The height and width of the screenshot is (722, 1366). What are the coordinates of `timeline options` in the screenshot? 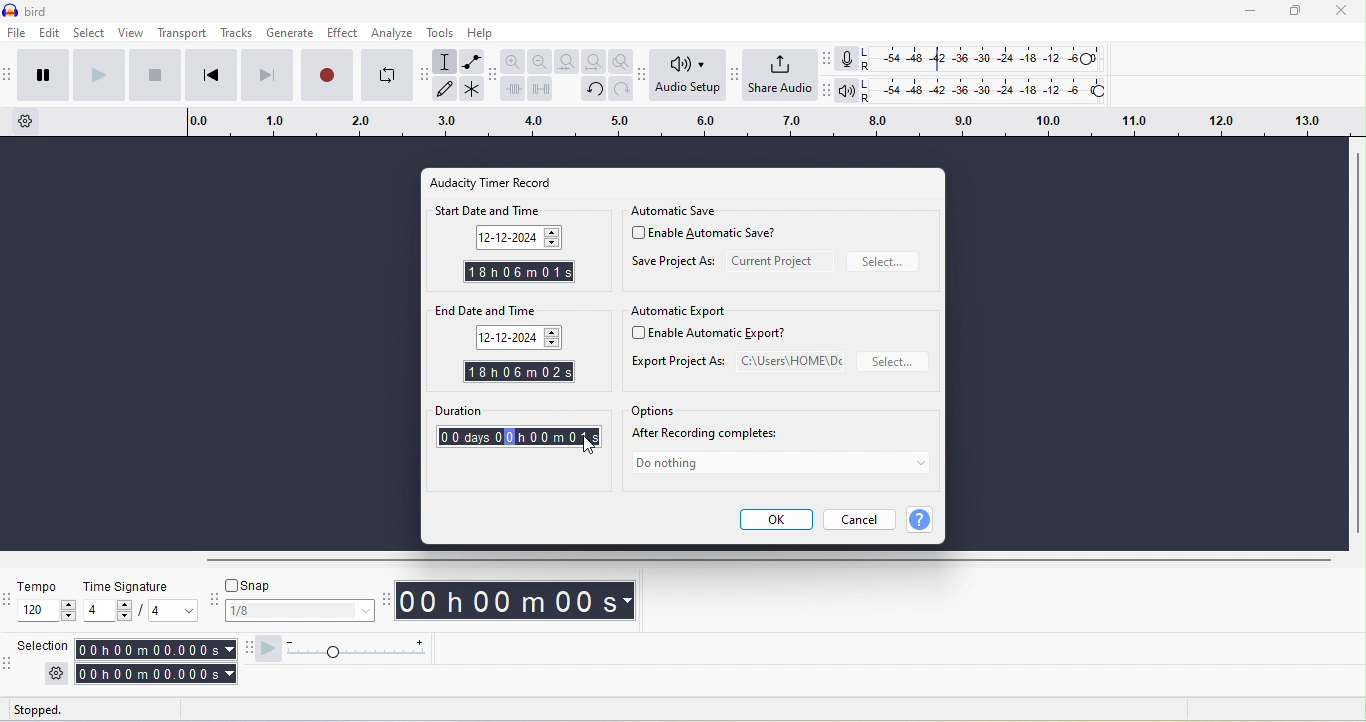 It's located at (28, 123).